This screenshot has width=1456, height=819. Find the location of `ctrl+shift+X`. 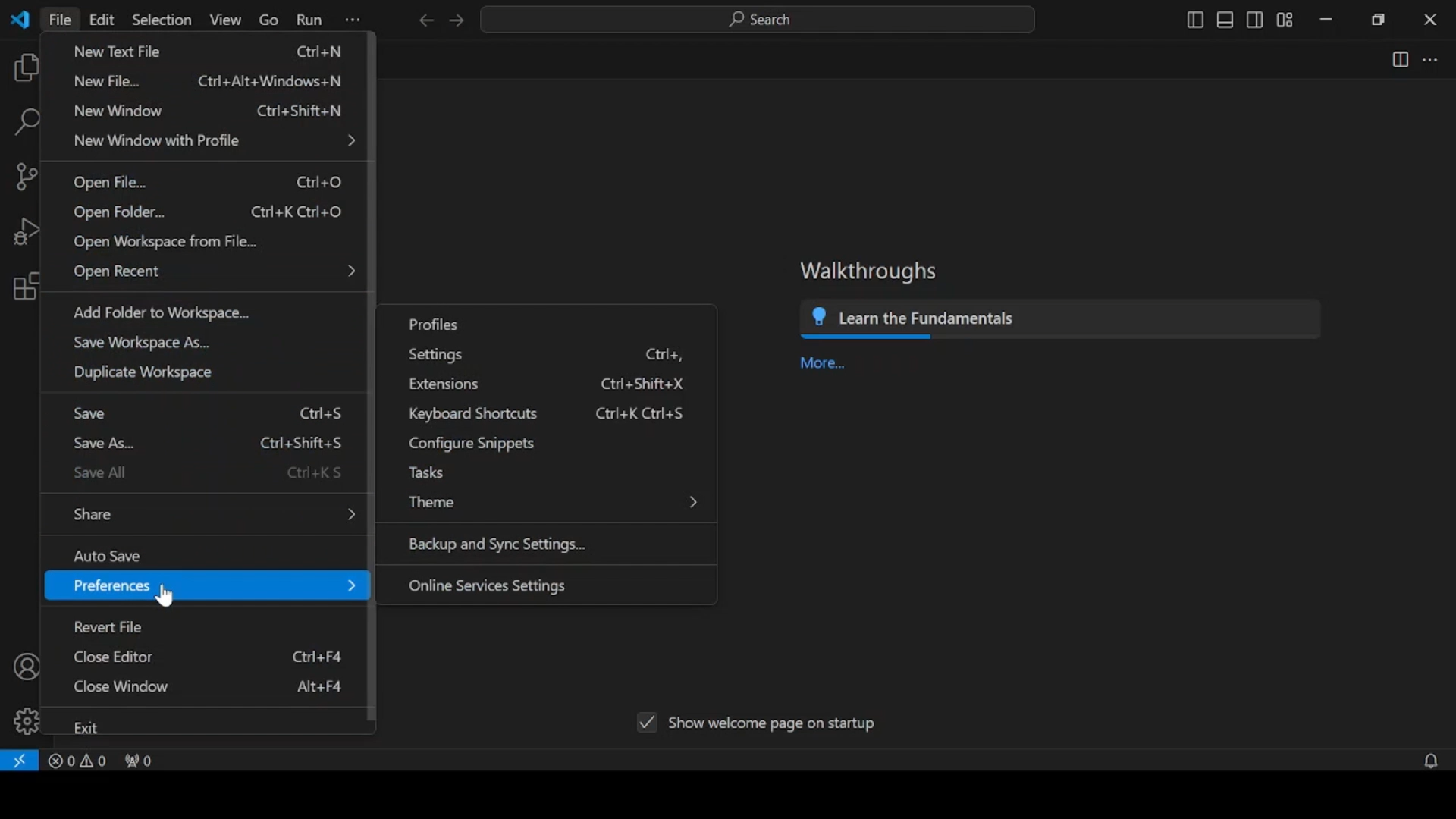

ctrl+shift+X is located at coordinates (643, 384).